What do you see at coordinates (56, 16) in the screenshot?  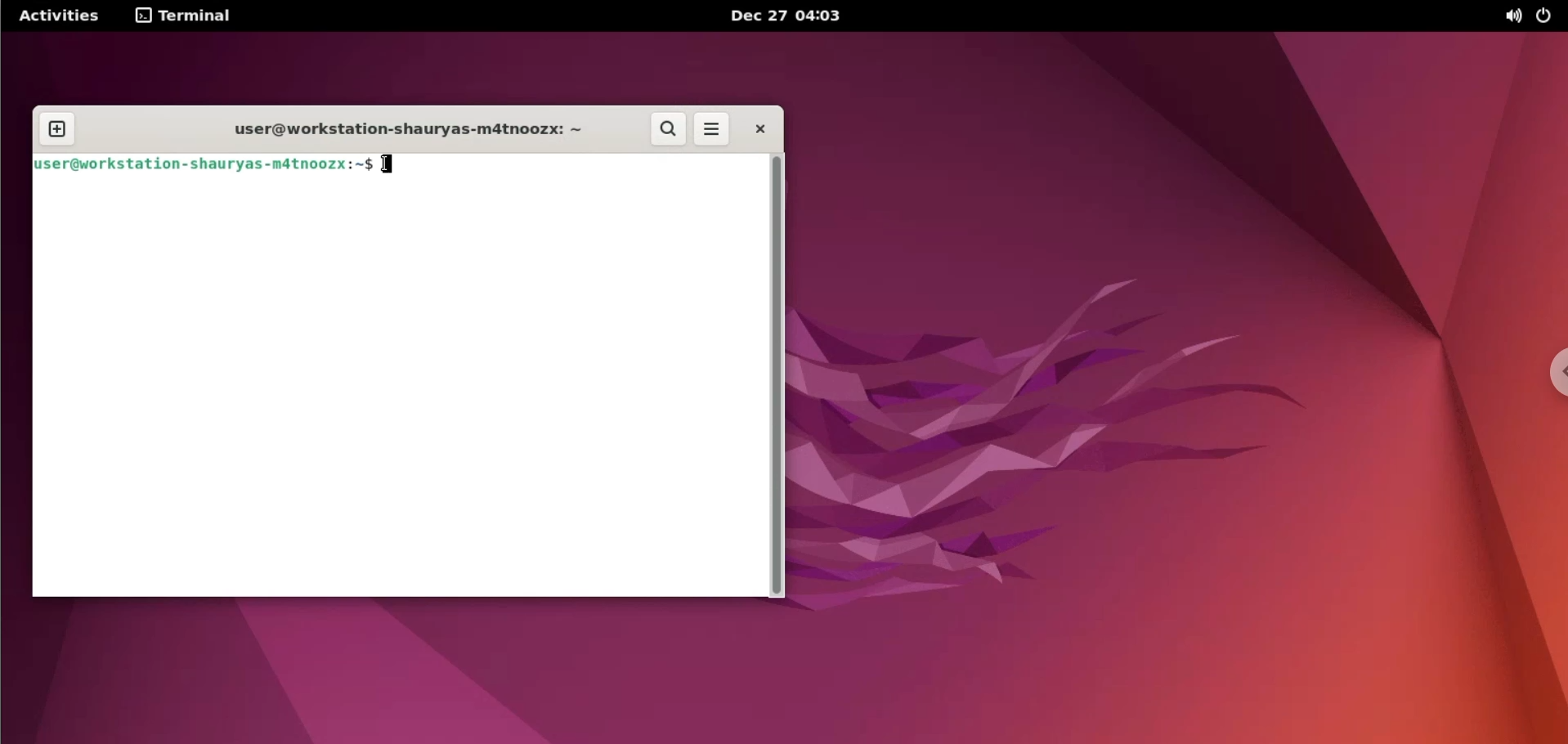 I see `Activities` at bounding box center [56, 16].